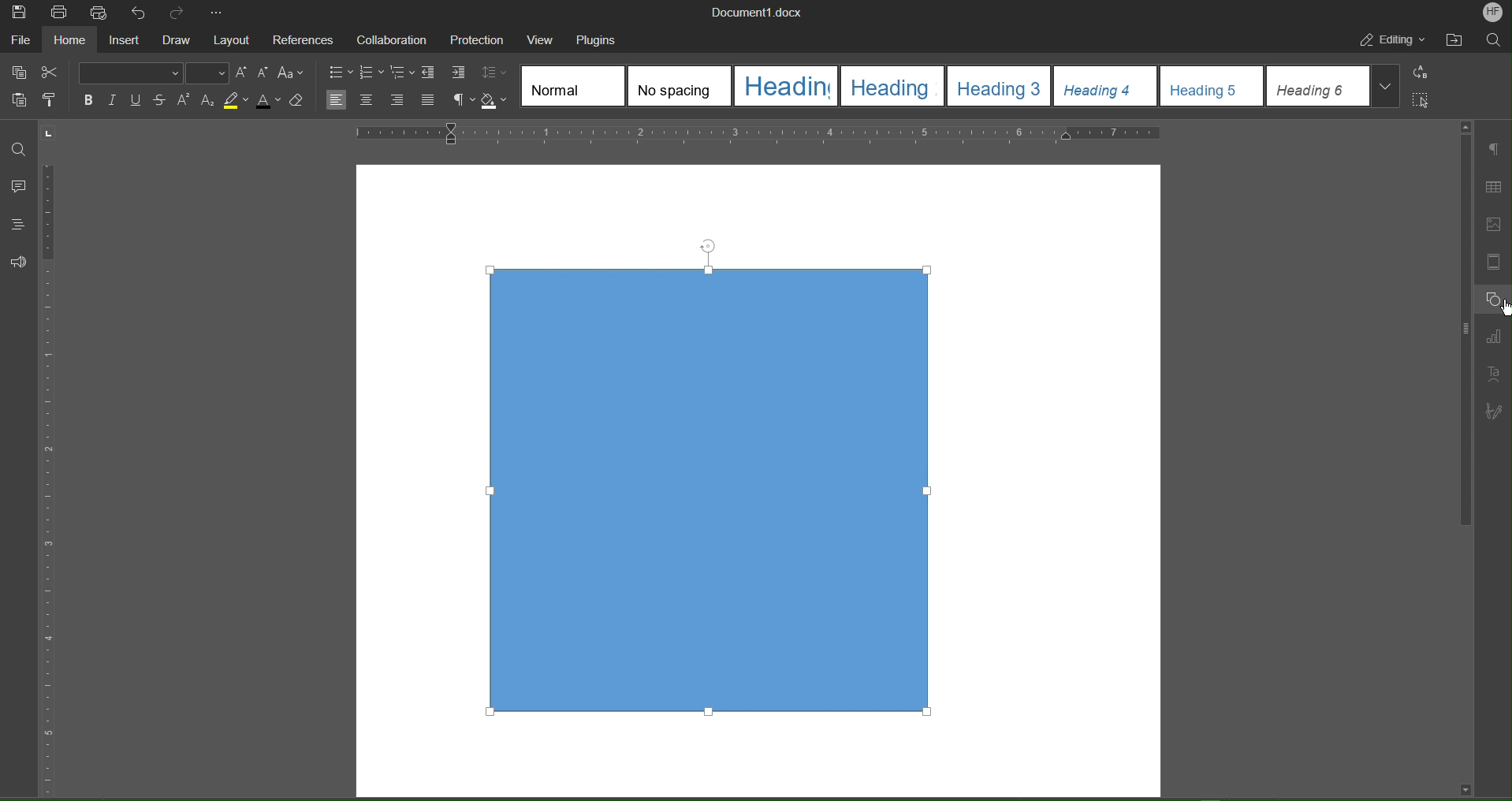  What do you see at coordinates (54, 73) in the screenshot?
I see `Cut` at bounding box center [54, 73].